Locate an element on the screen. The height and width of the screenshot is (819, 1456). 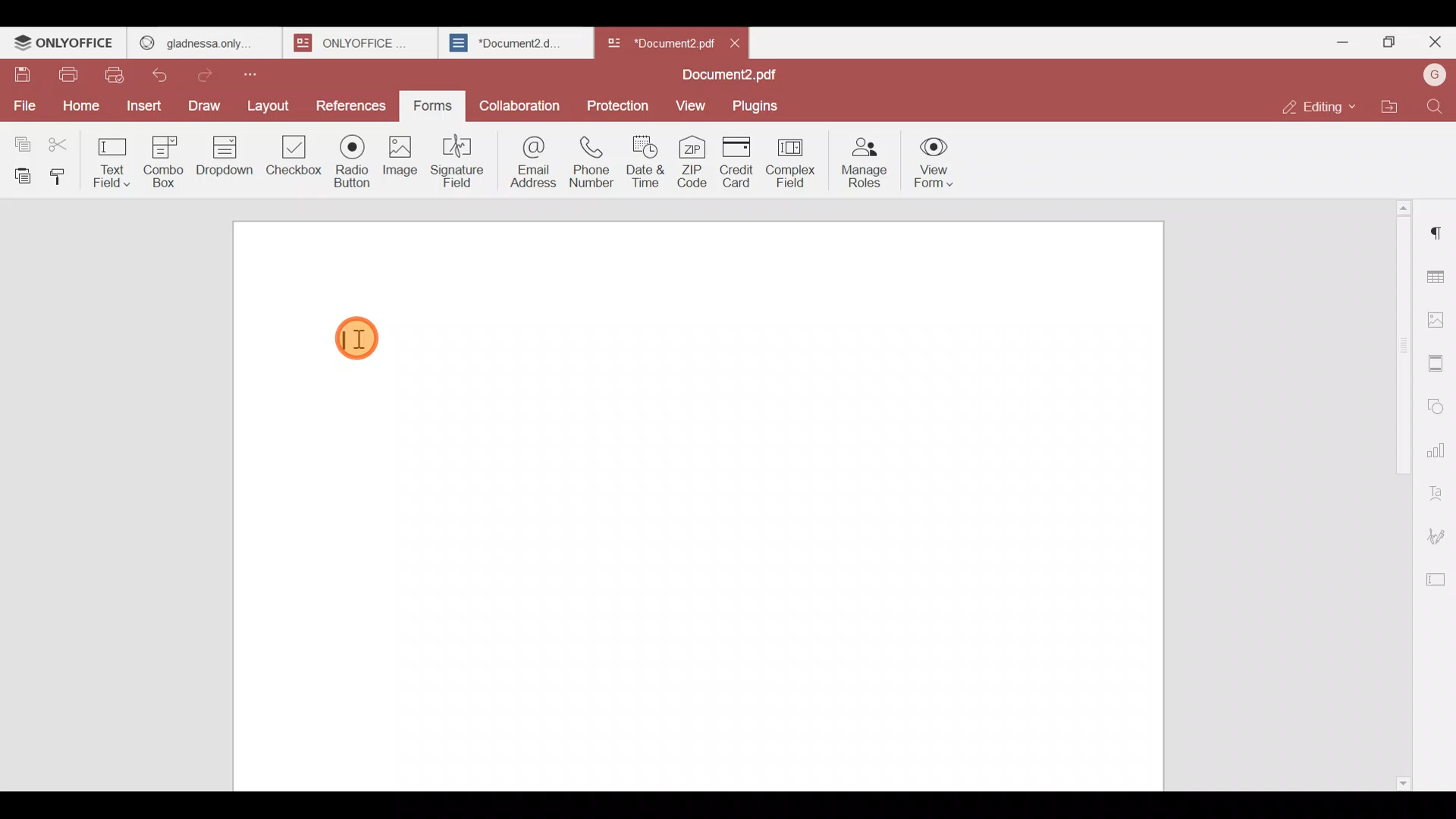
Checkbox is located at coordinates (290, 159).